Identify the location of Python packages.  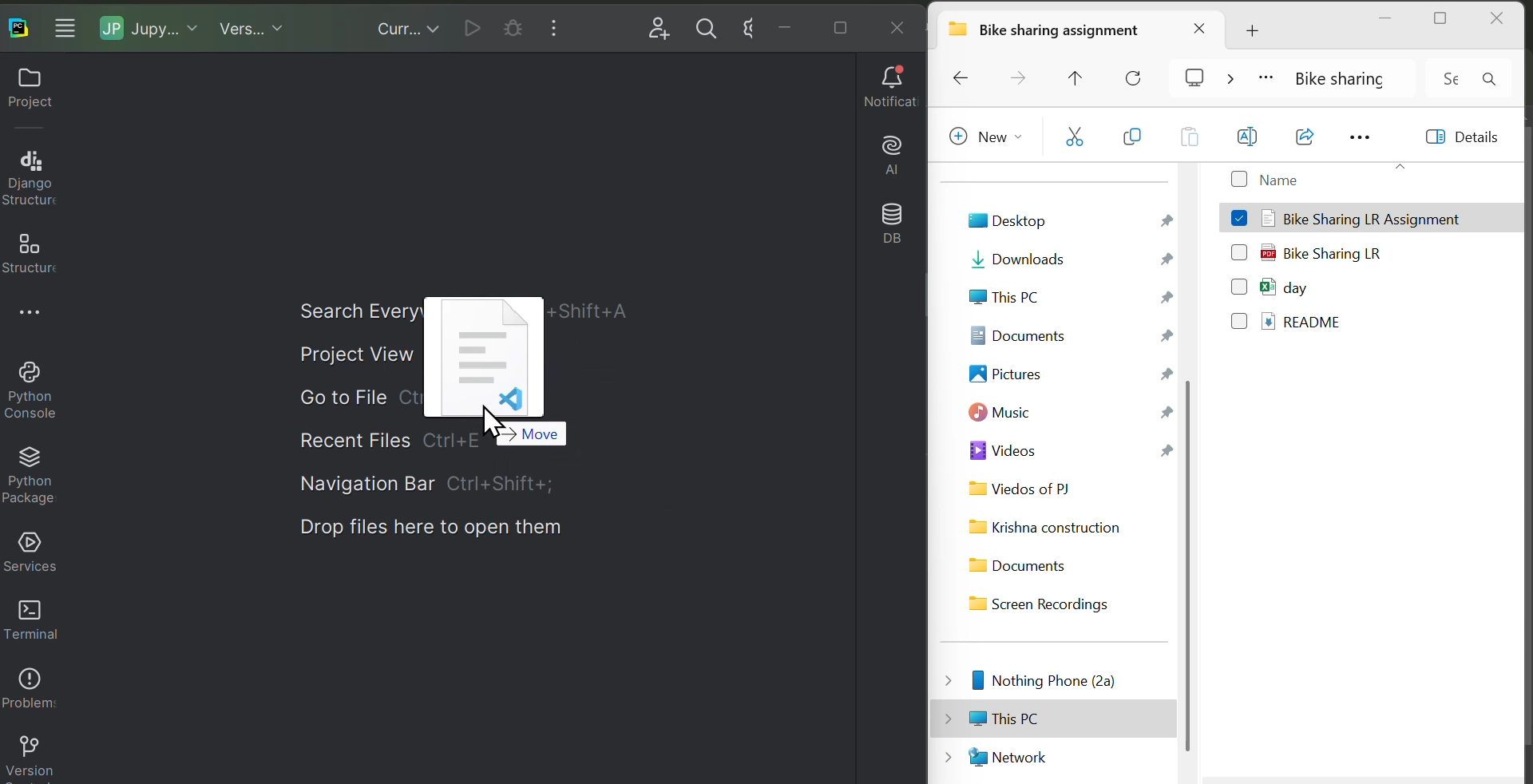
(28, 477).